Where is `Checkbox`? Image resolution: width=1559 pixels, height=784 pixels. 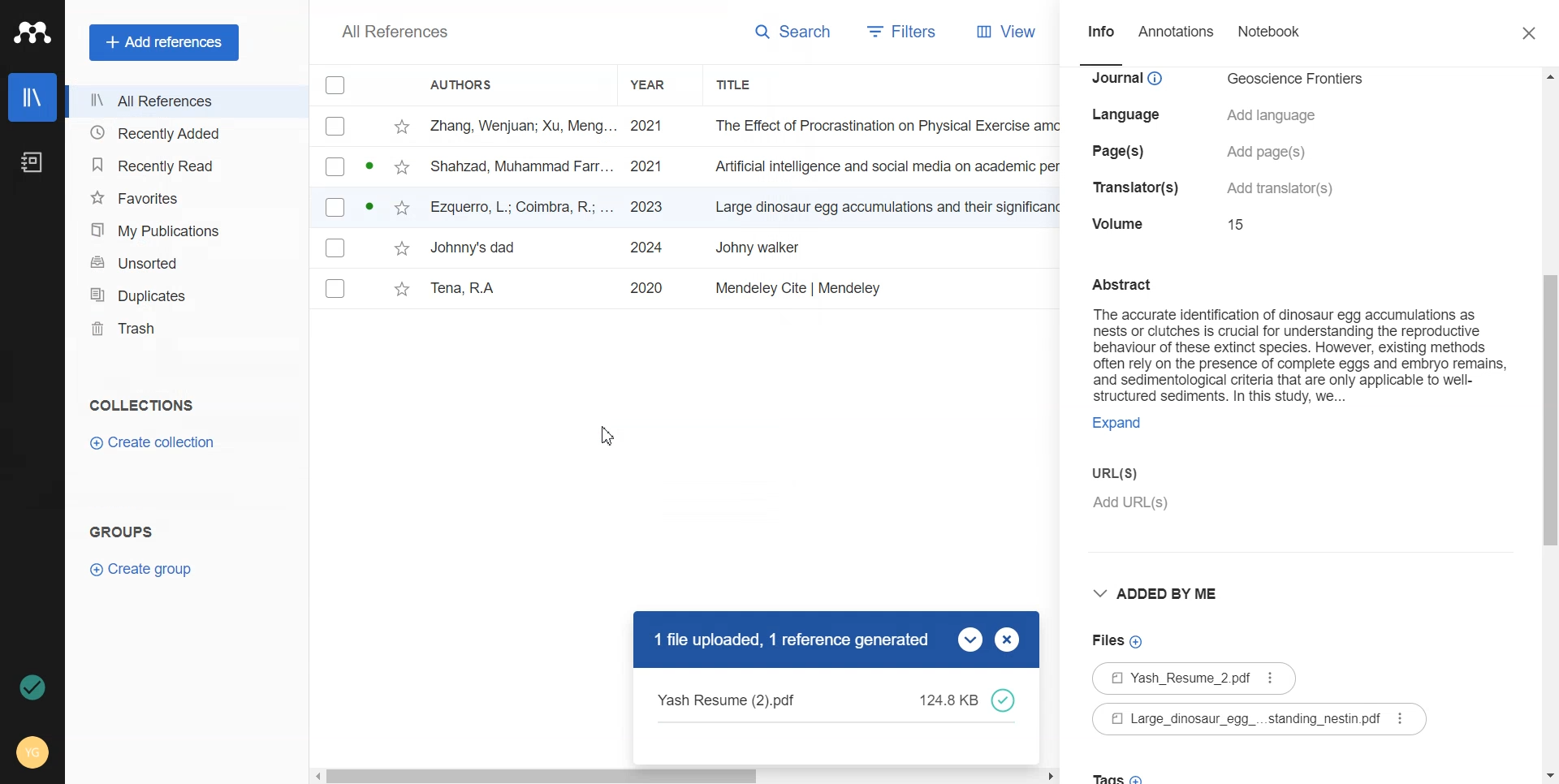
Checkbox is located at coordinates (336, 207).